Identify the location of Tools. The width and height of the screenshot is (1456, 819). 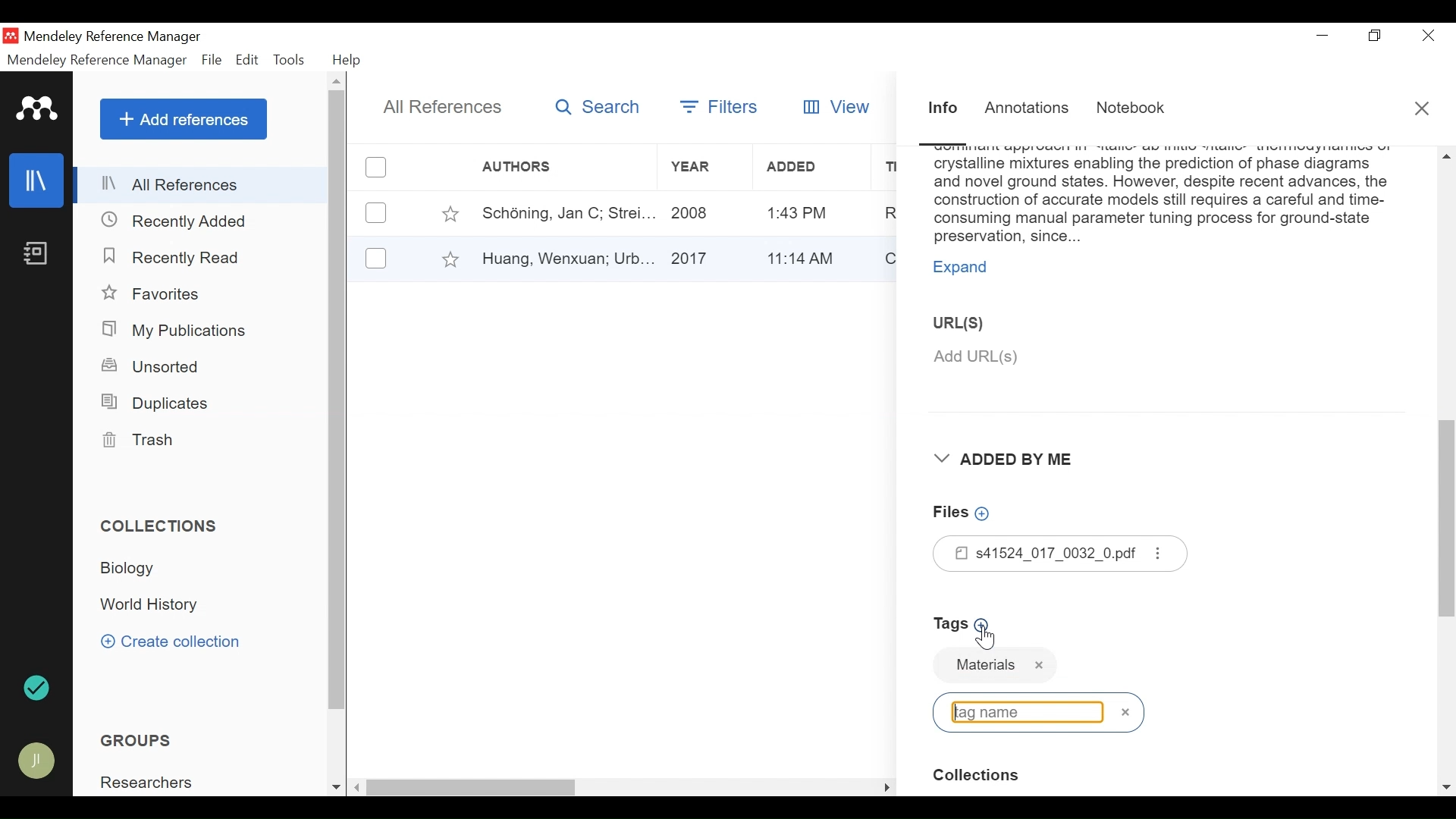
(289, 60).